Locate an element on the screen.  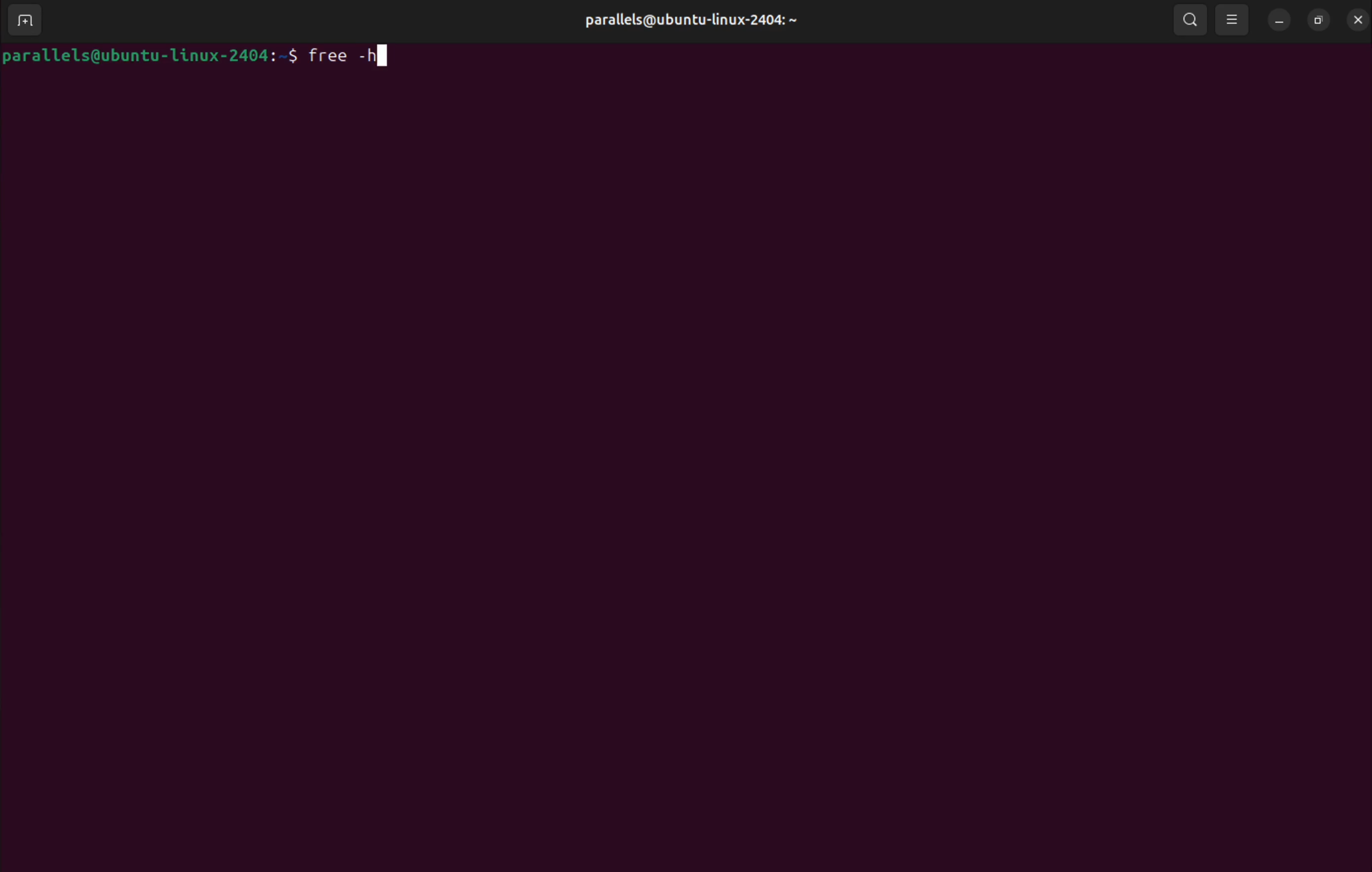
free -h is located at coordinates (353, 54).